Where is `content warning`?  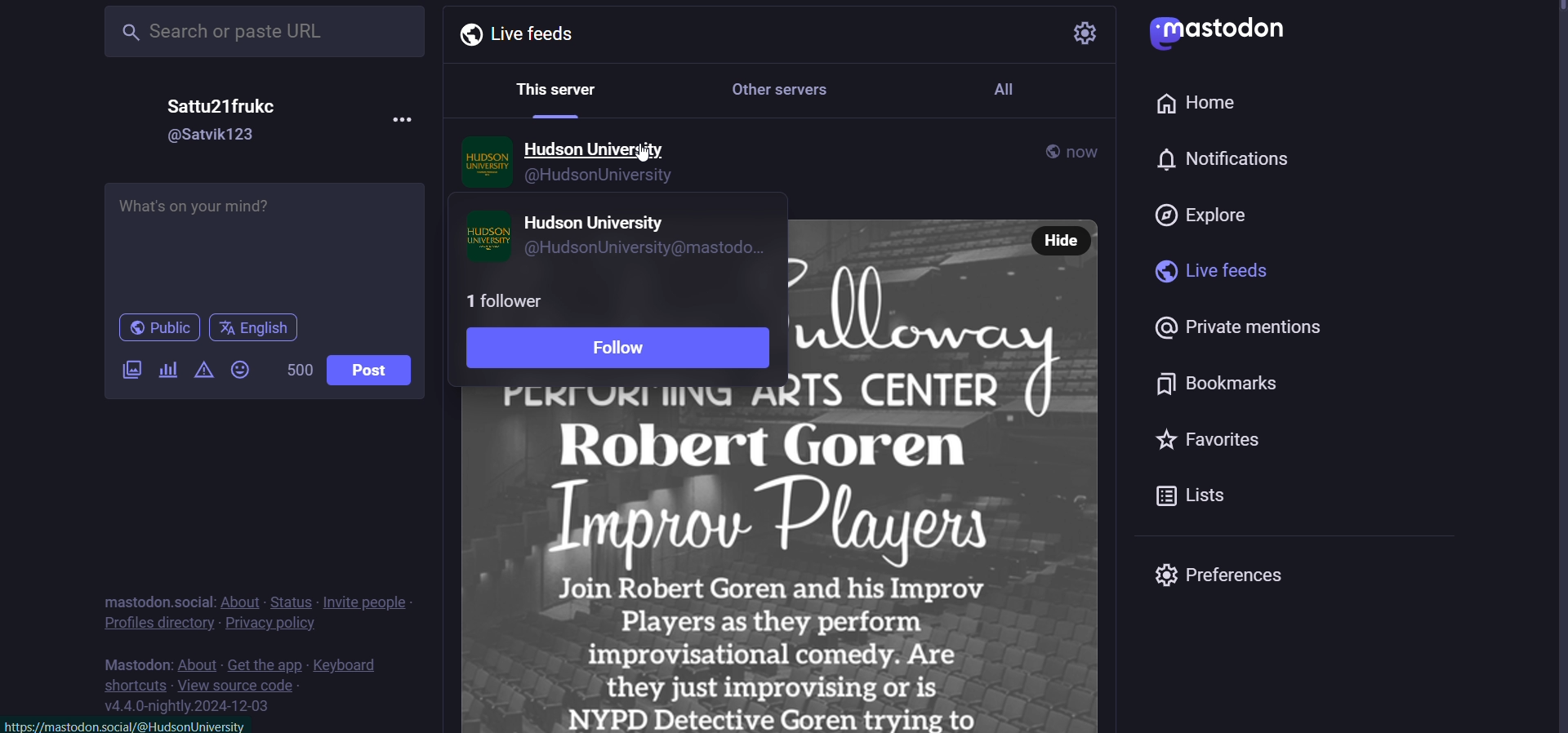
content warning is located at coordinates (205, 372).